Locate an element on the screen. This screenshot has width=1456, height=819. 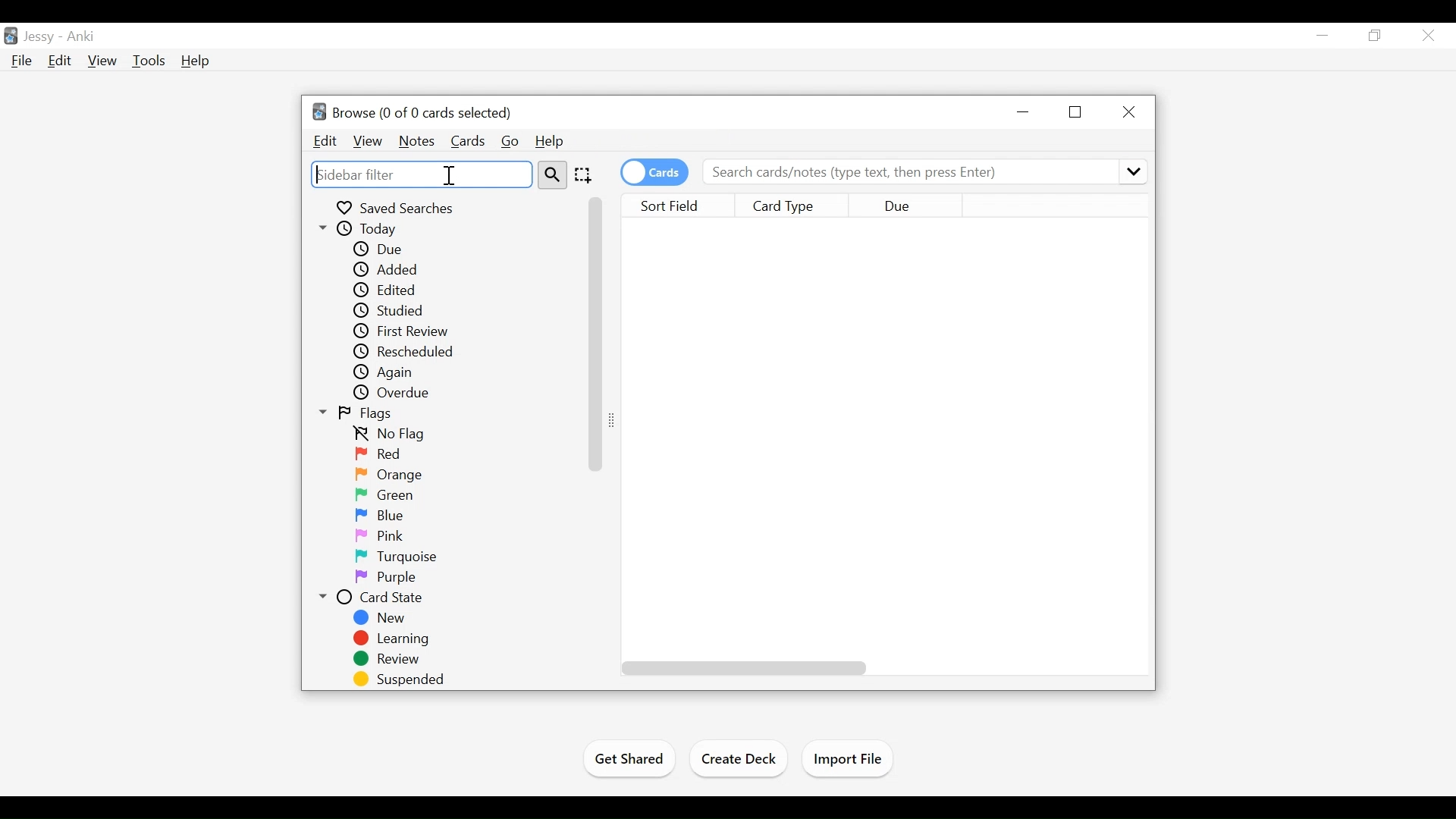
minimize is located at coordinates (1025, 111).